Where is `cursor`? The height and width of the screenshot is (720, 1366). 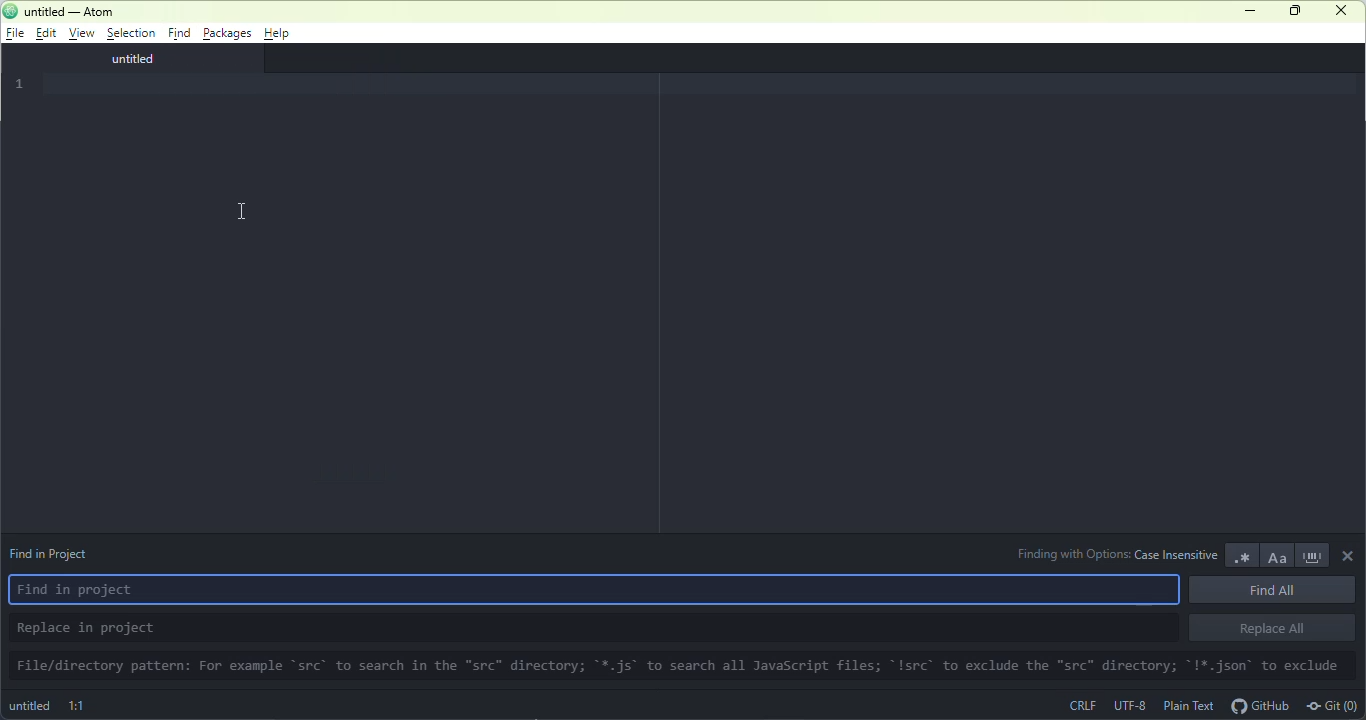
cursor is located at coordinates (242, 212).